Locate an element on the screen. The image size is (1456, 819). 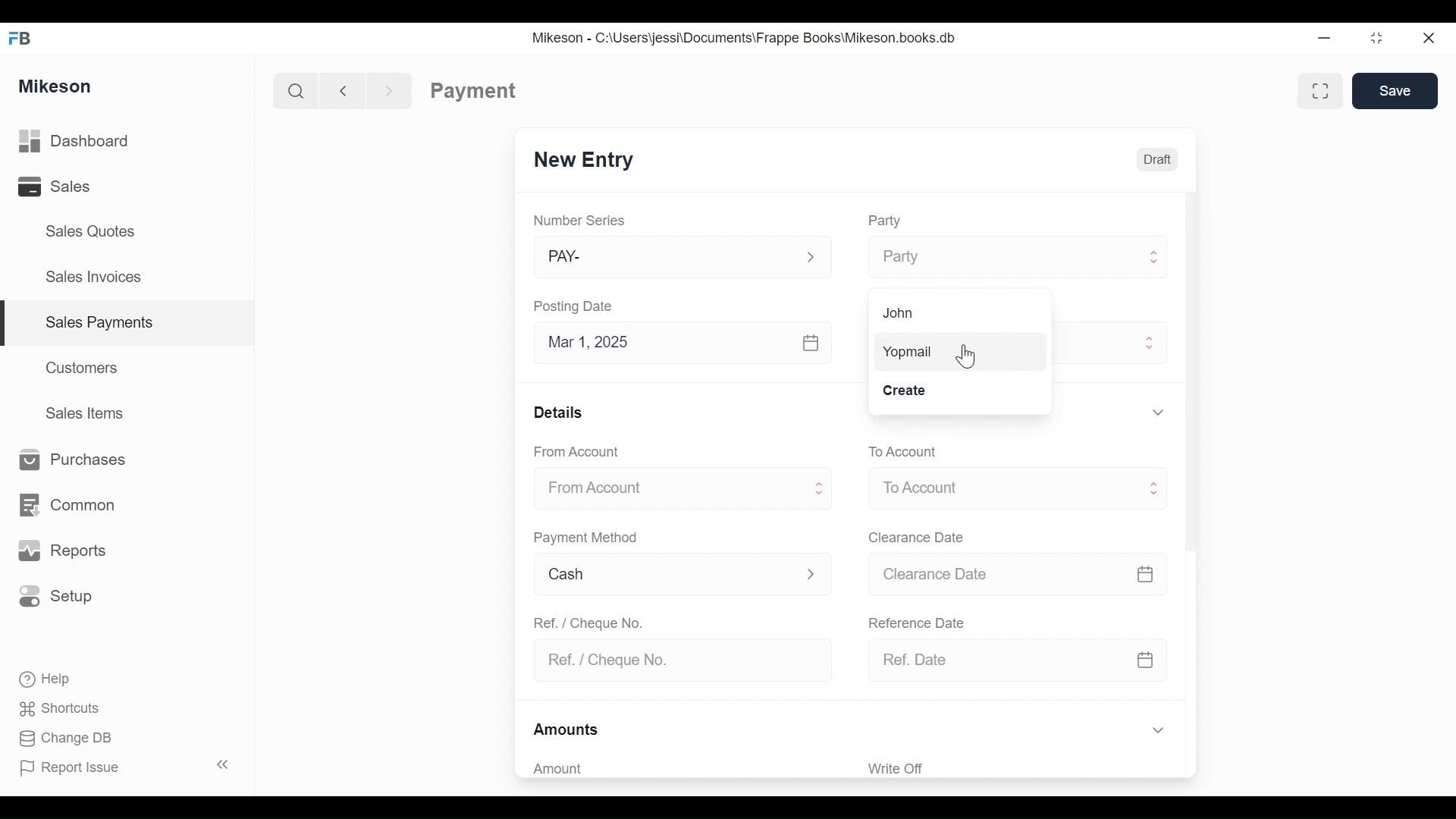
Search is located at coordinates (291, 89).